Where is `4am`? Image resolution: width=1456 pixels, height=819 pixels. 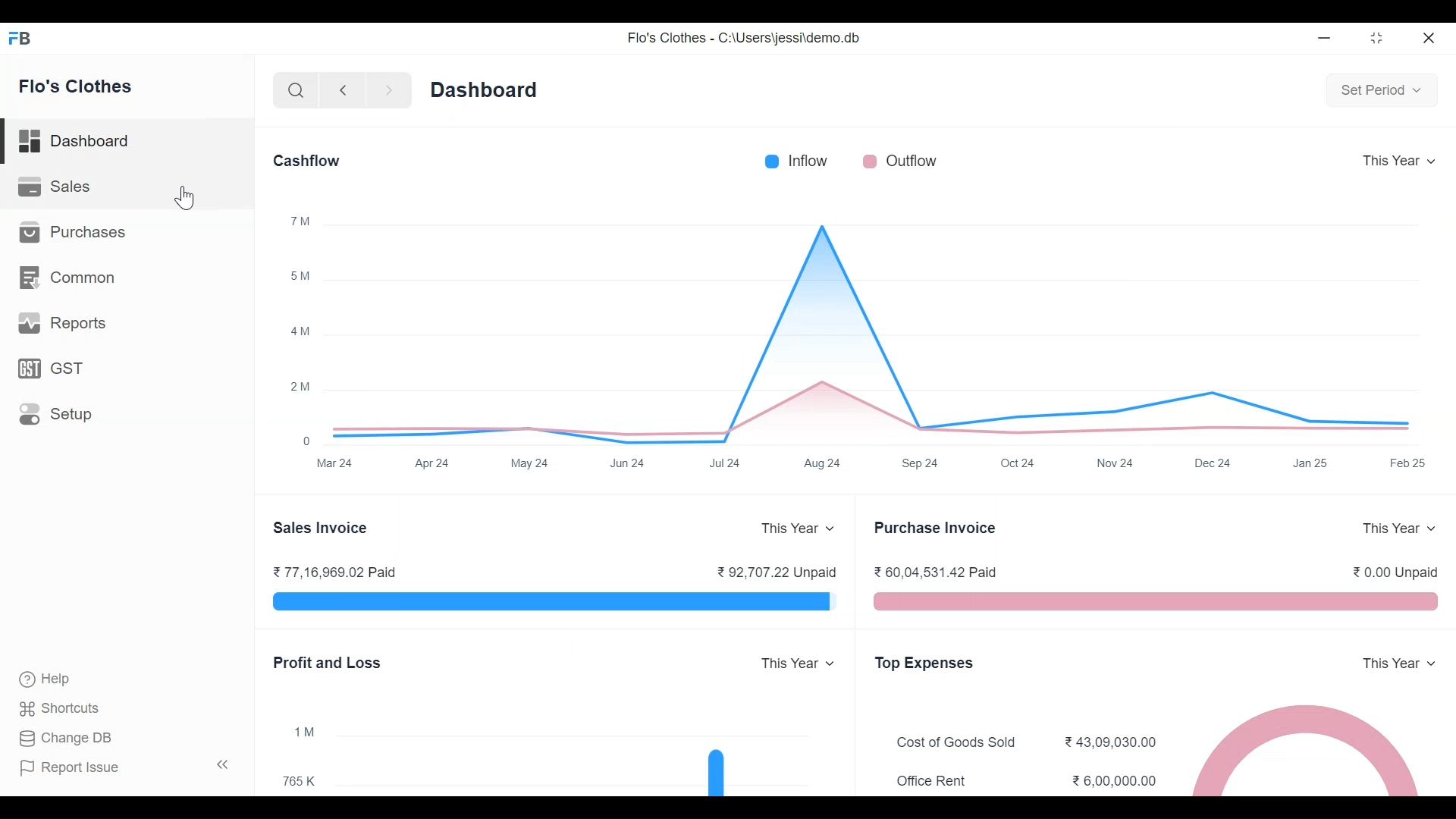
4am is located at coordinates (300, 330).